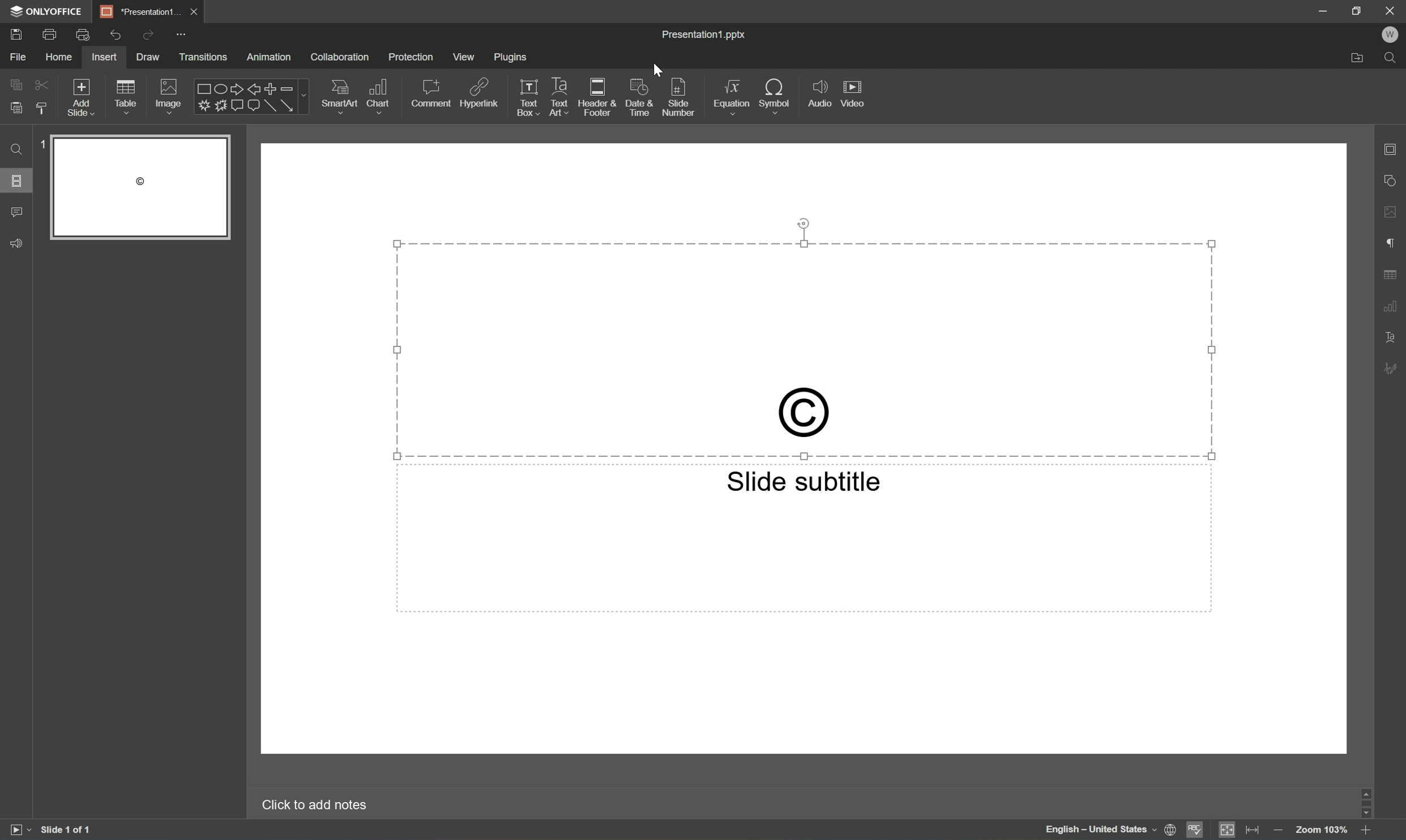  Describe the element at coordinates (268, 57) in the screenshot. I see `Animation` at that location.